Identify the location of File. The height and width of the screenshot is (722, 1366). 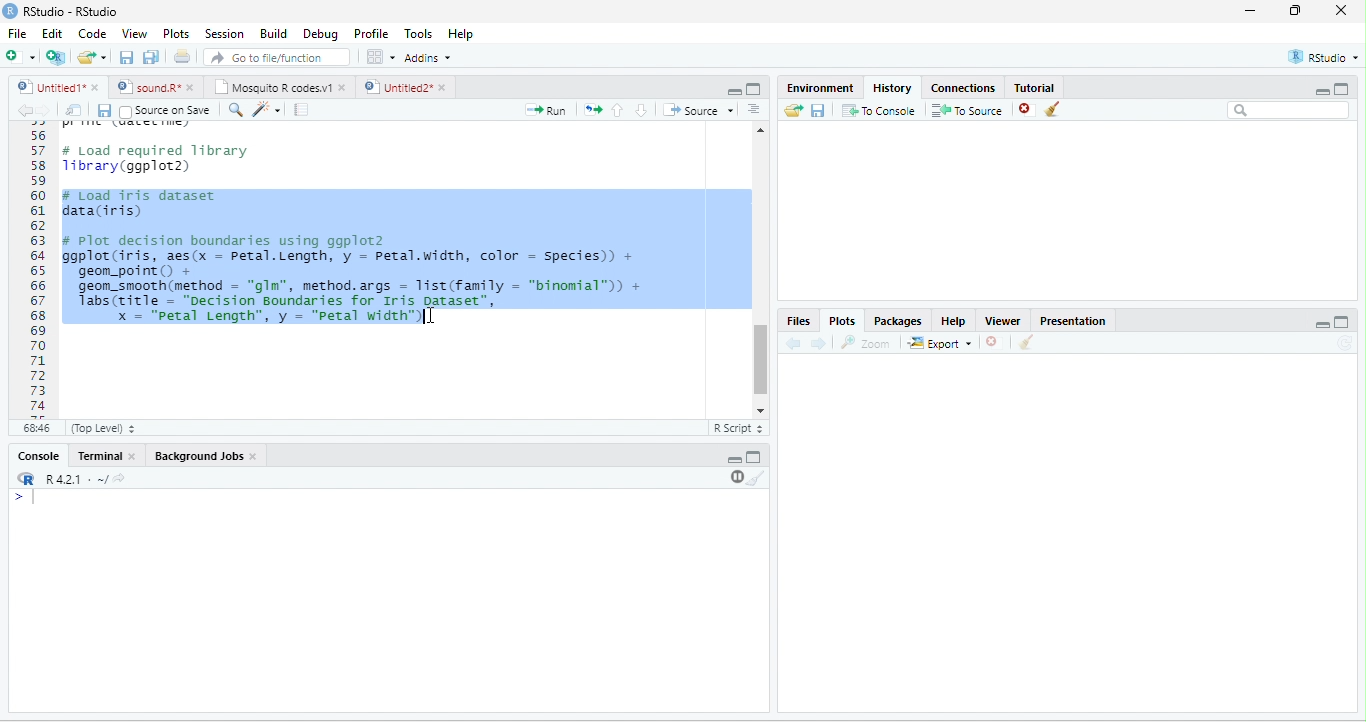
(17, 33).